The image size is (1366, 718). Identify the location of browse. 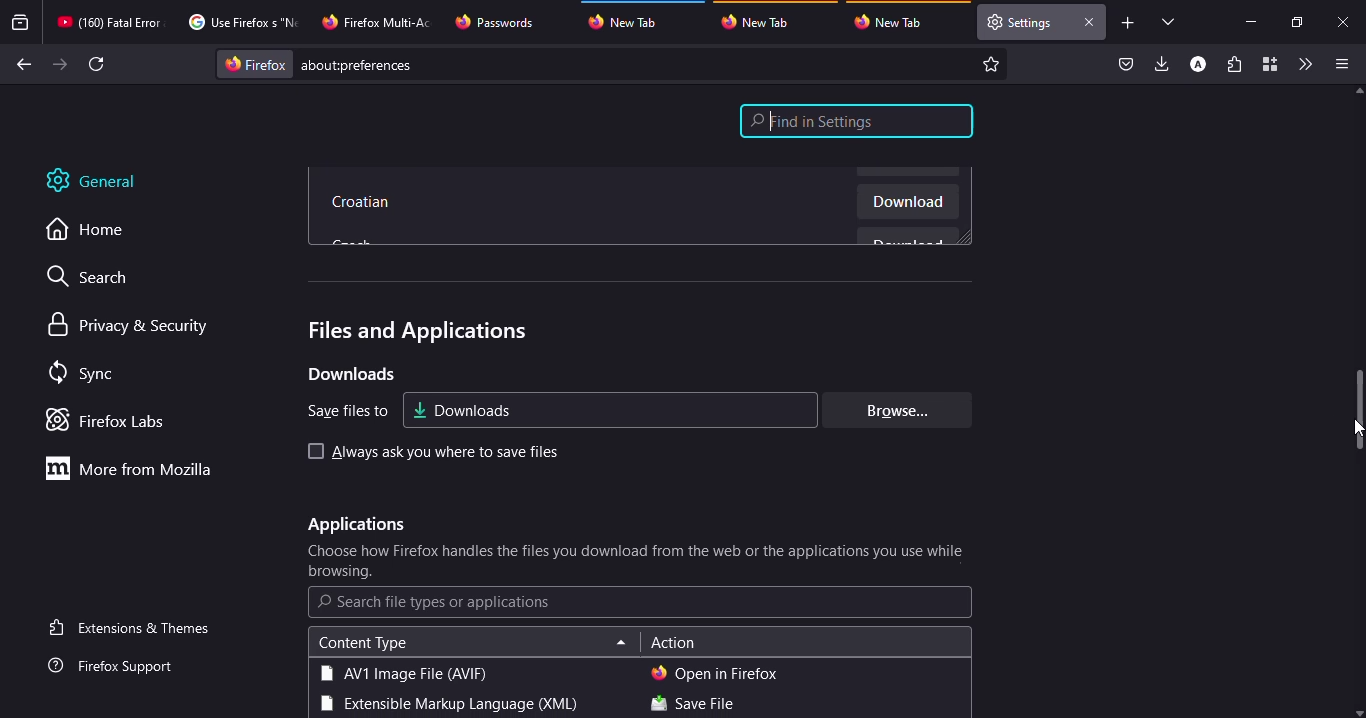
(893, 410).